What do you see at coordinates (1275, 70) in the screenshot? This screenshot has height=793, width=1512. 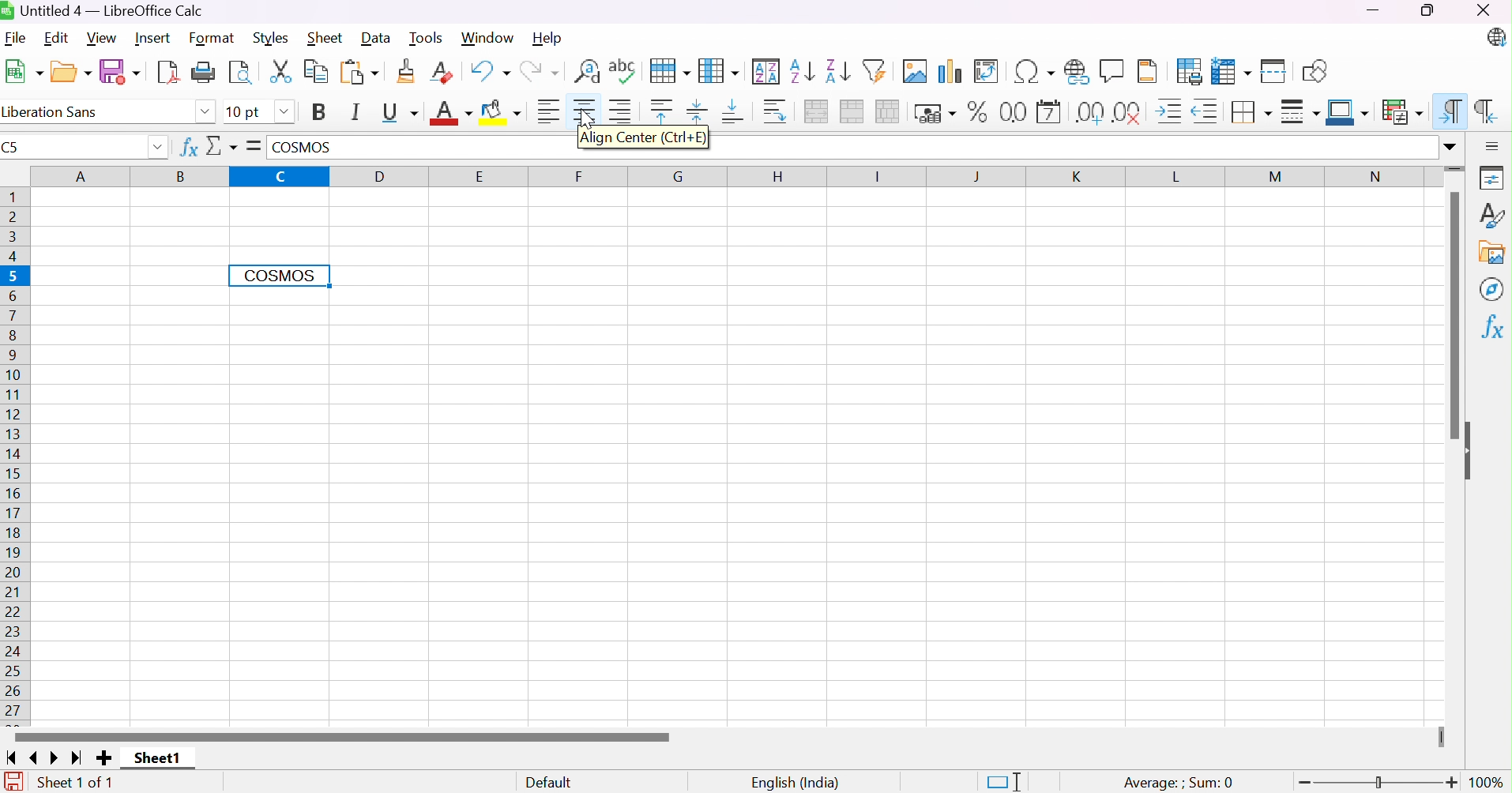 I see `Split Window` at bounding box center [1275, 70].